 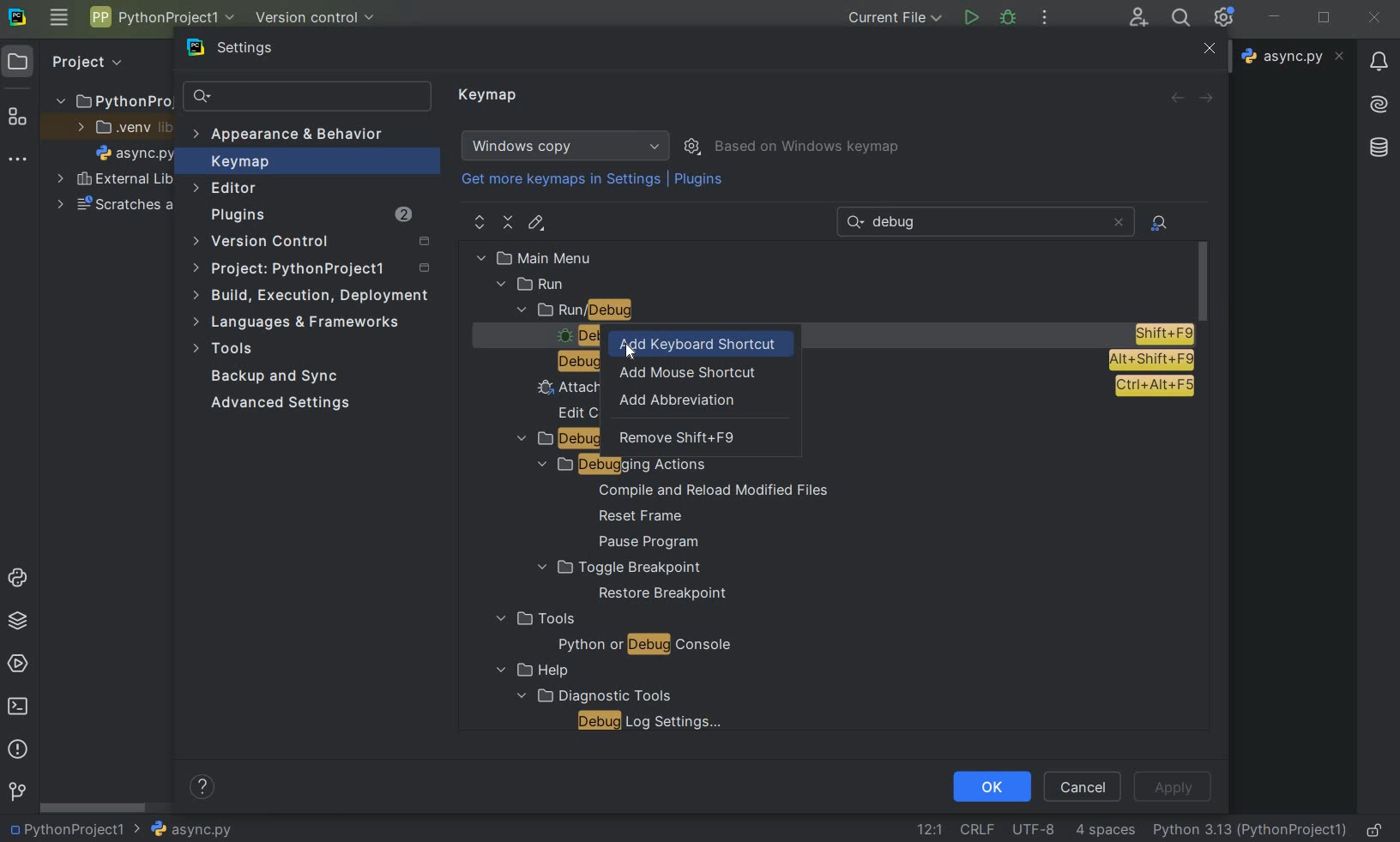 What do you see at coordinates (534, 619) in the screenshot?
I see `tools` at bounding box center [534, 619].